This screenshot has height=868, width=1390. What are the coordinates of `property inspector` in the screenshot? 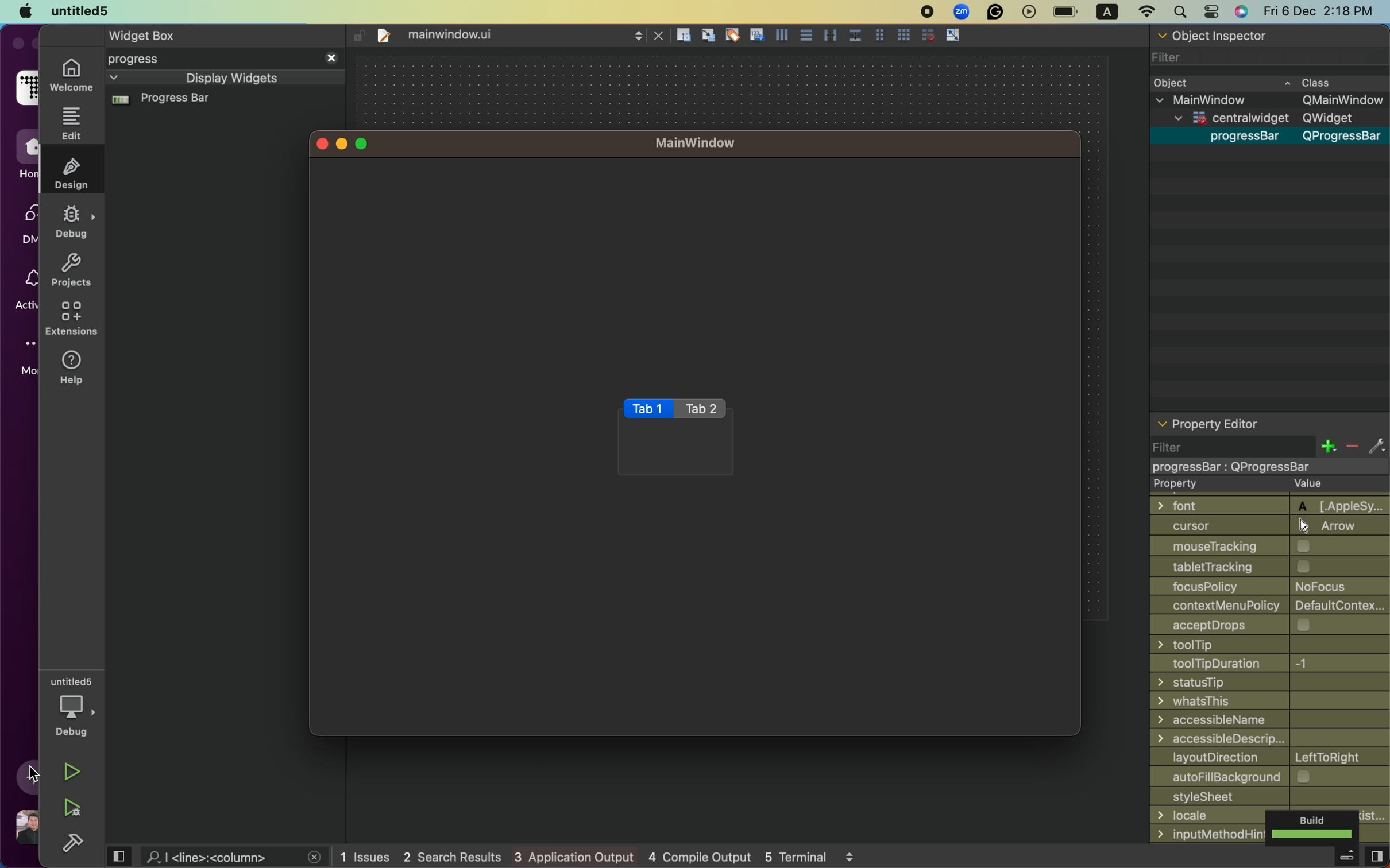 It's located at (1266, 424).